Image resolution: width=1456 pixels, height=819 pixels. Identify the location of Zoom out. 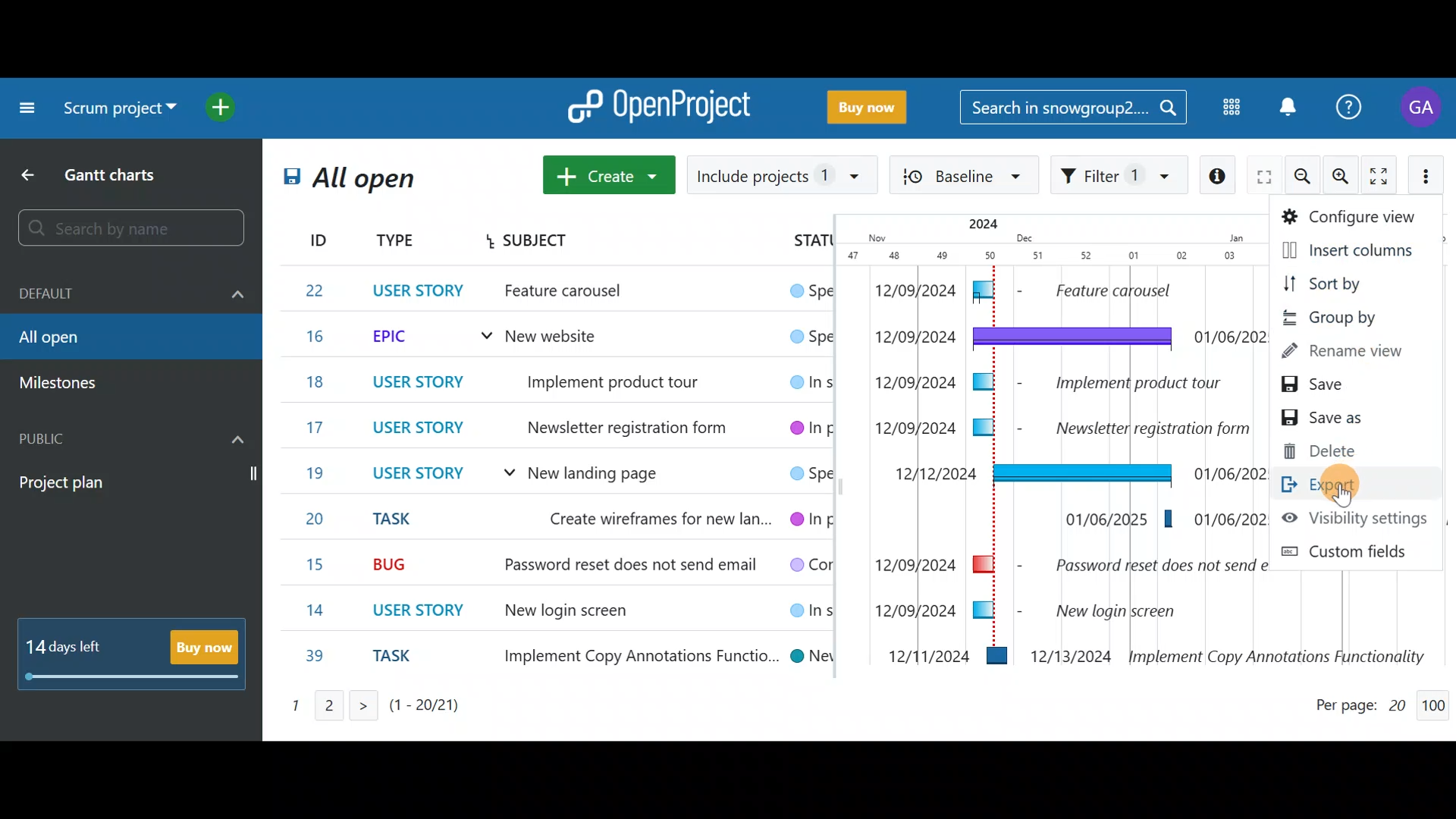
(1305, 177).